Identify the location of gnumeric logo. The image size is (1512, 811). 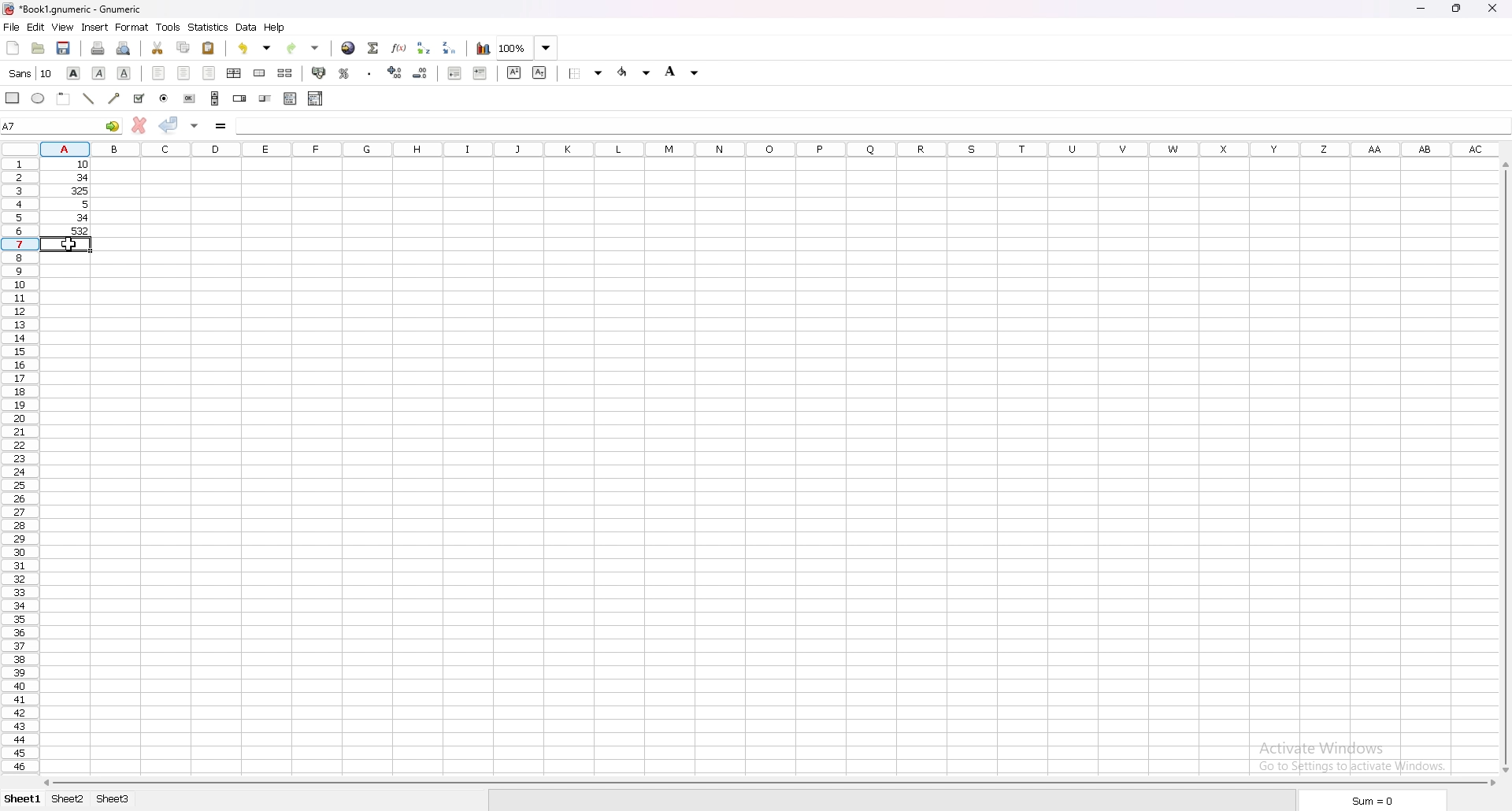
(13, 10).